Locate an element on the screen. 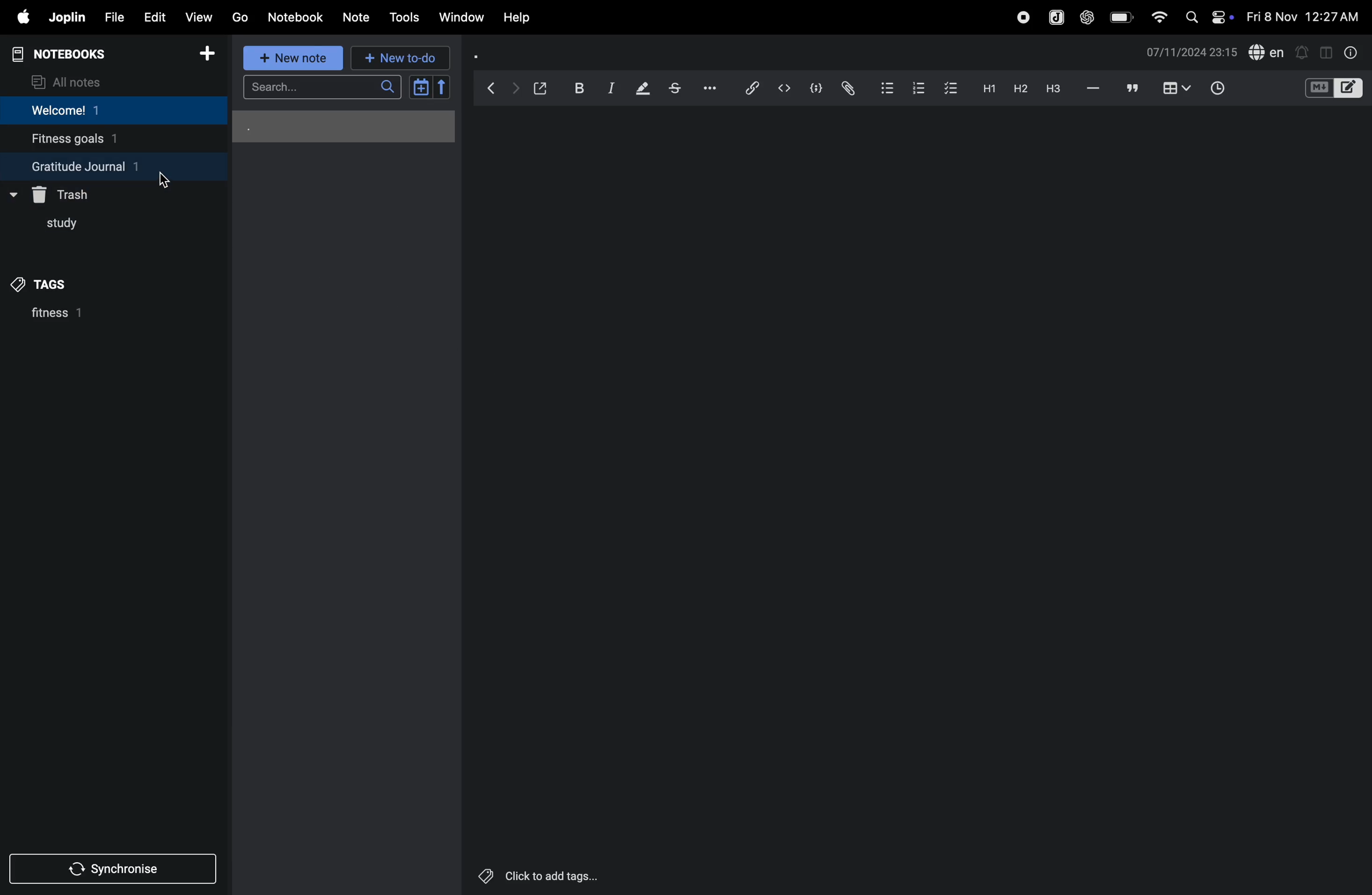  strike through is located at coordinates (680, 89).